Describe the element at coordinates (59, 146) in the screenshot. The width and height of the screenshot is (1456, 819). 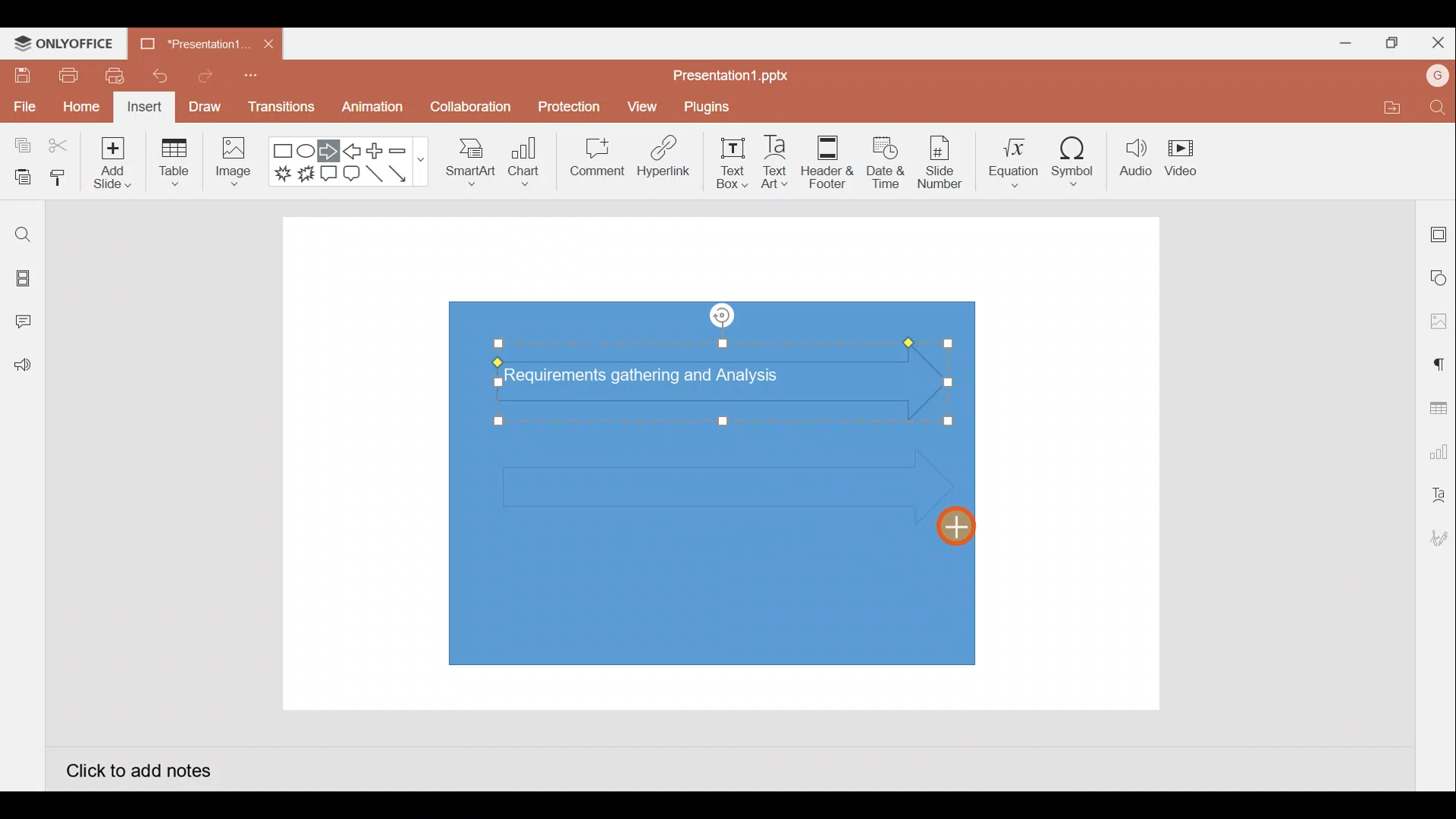
I see `Cut` at that location.